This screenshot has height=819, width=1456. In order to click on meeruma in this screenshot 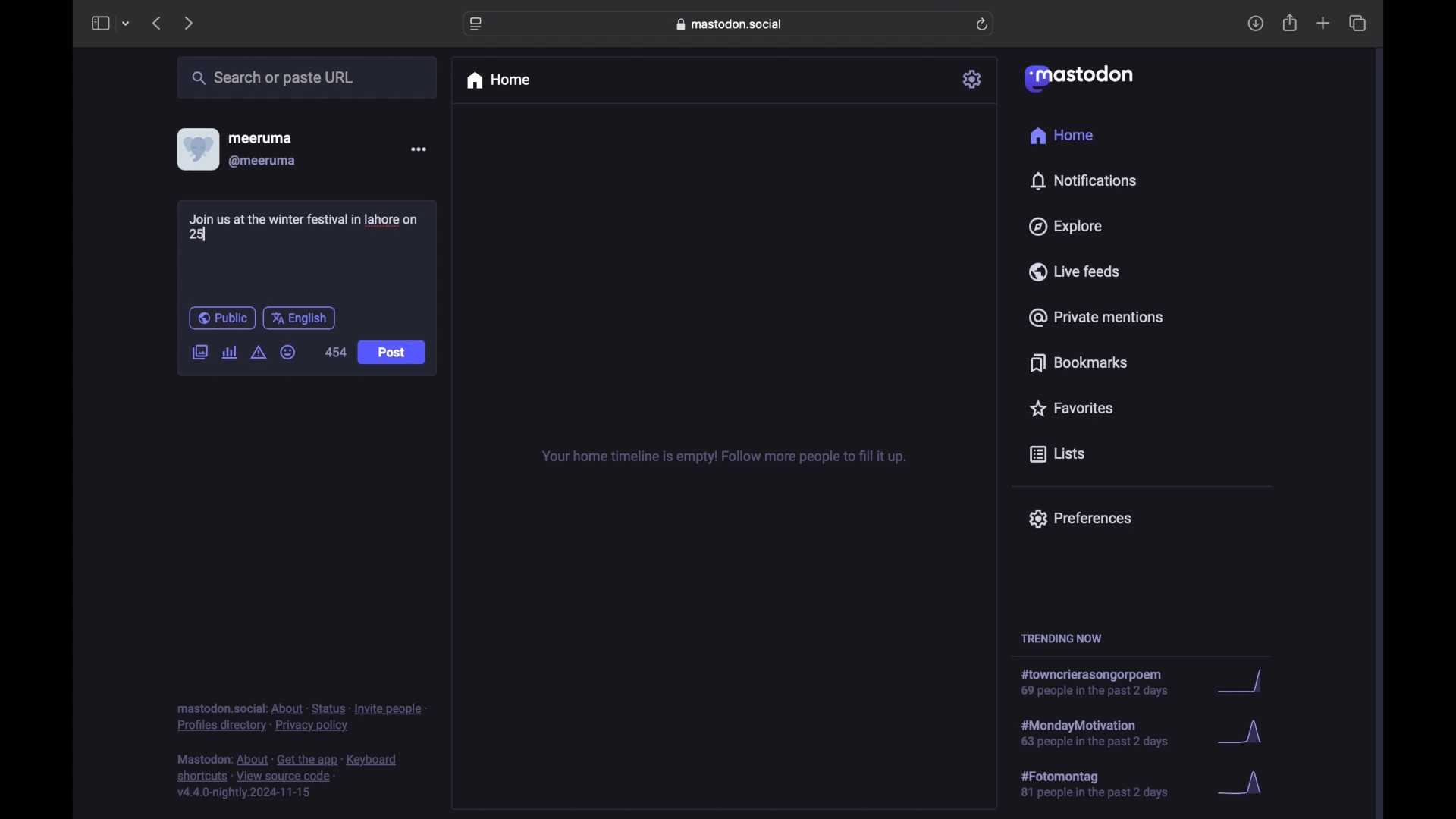, I will do `click(260, 137)`.